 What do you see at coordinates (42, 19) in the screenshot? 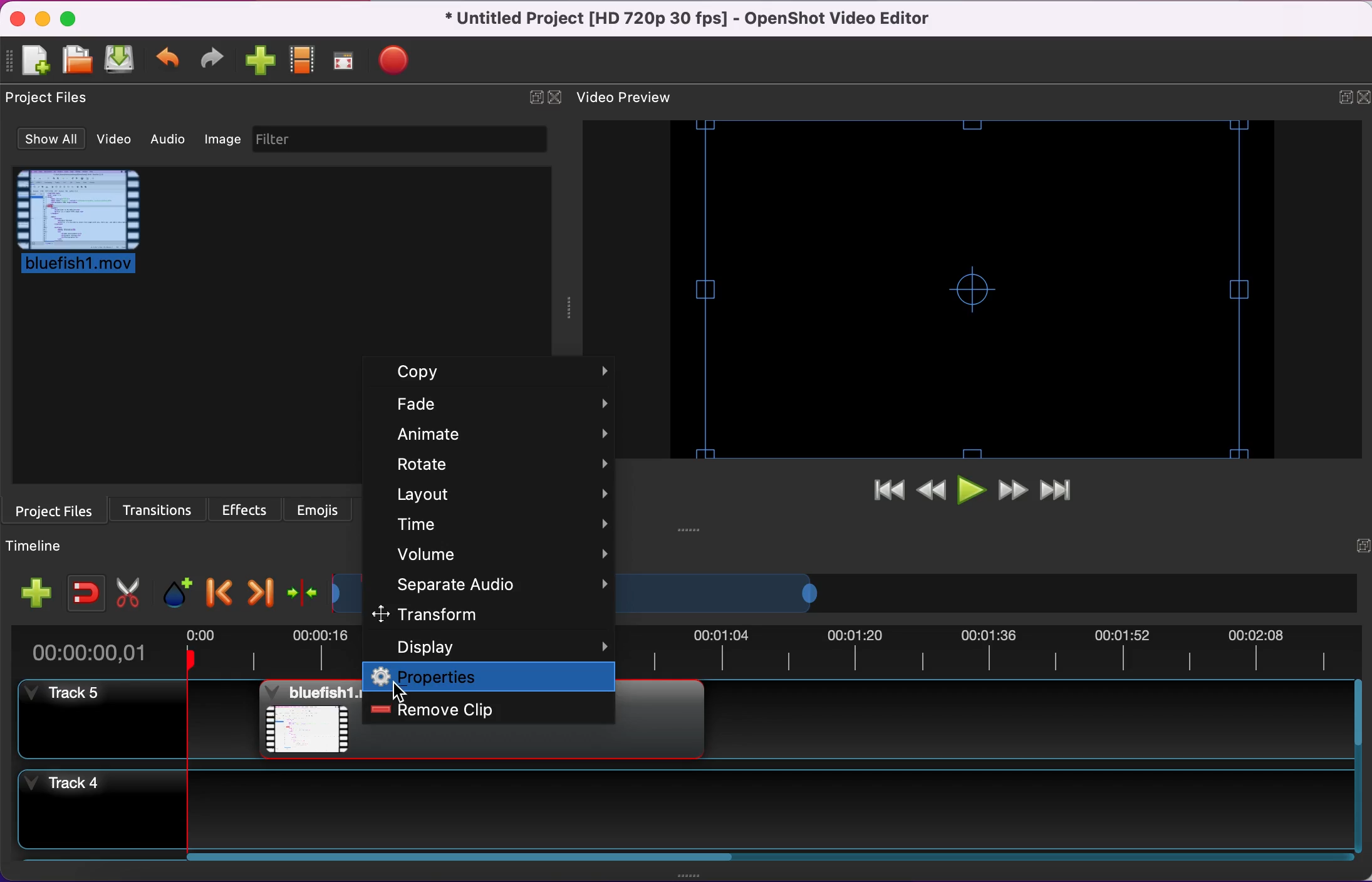
I see `minimize` at bounding box center [42, 19].